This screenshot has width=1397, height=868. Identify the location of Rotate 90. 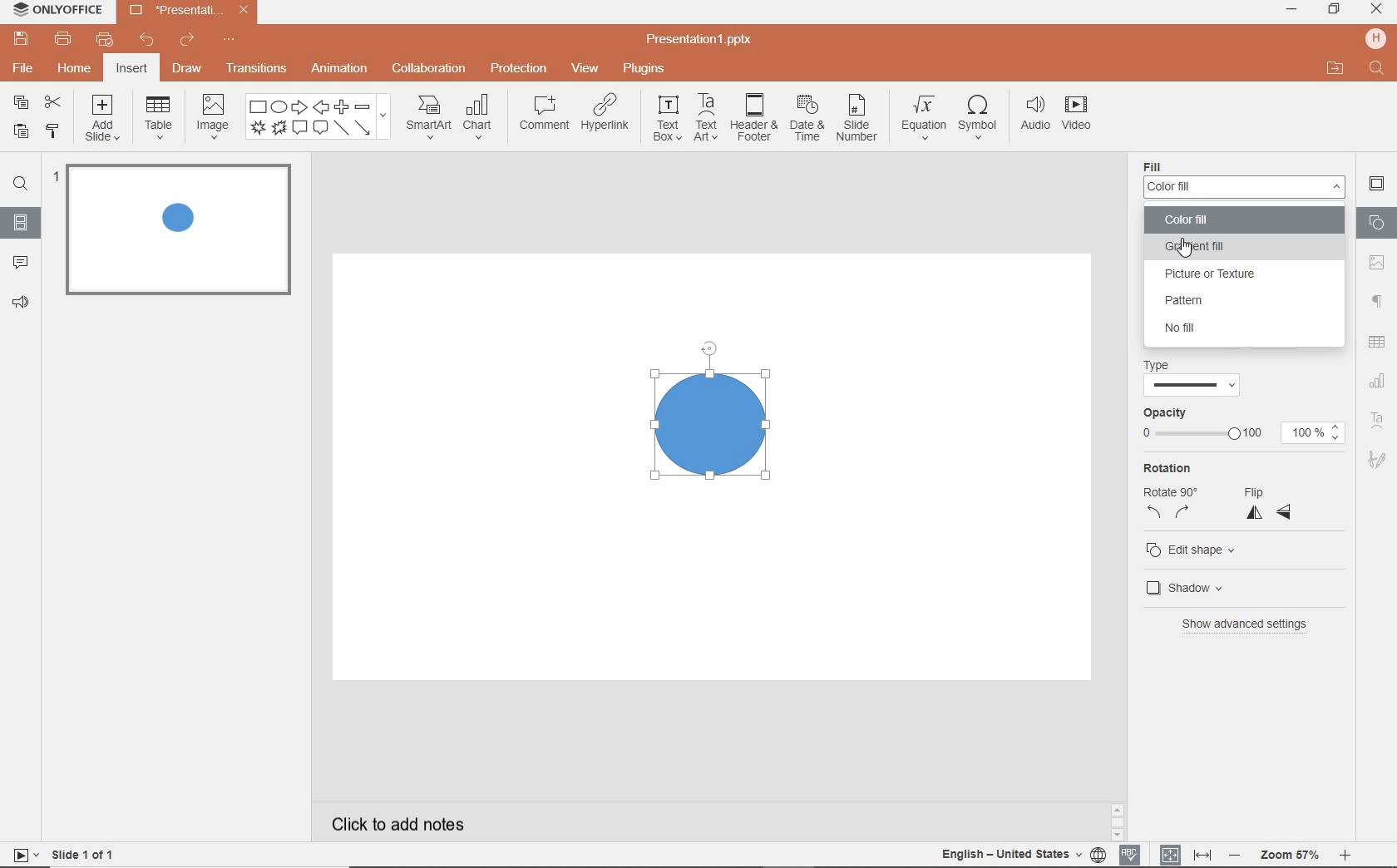
(1170, 491).